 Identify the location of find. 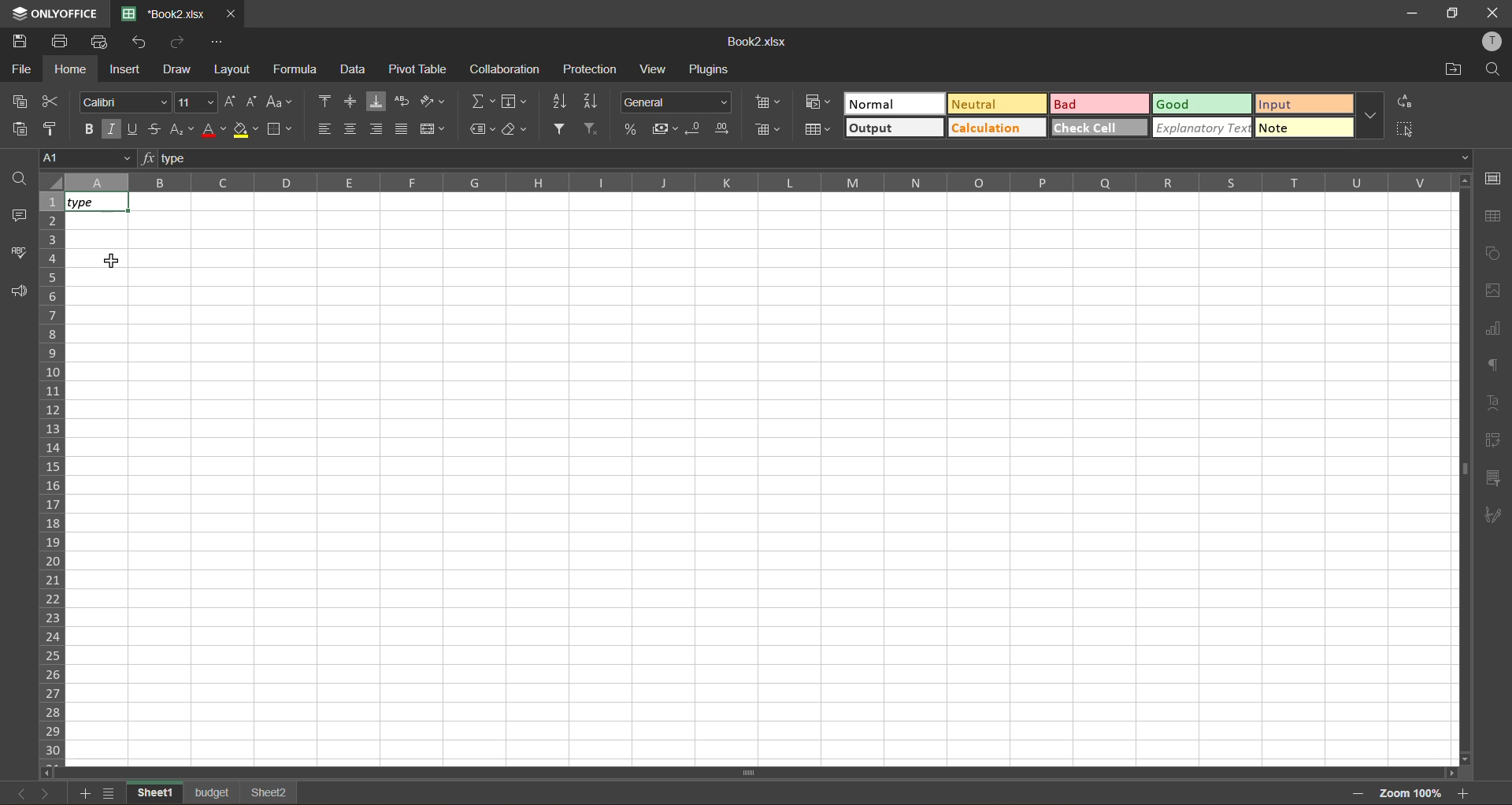
(1495, 69).